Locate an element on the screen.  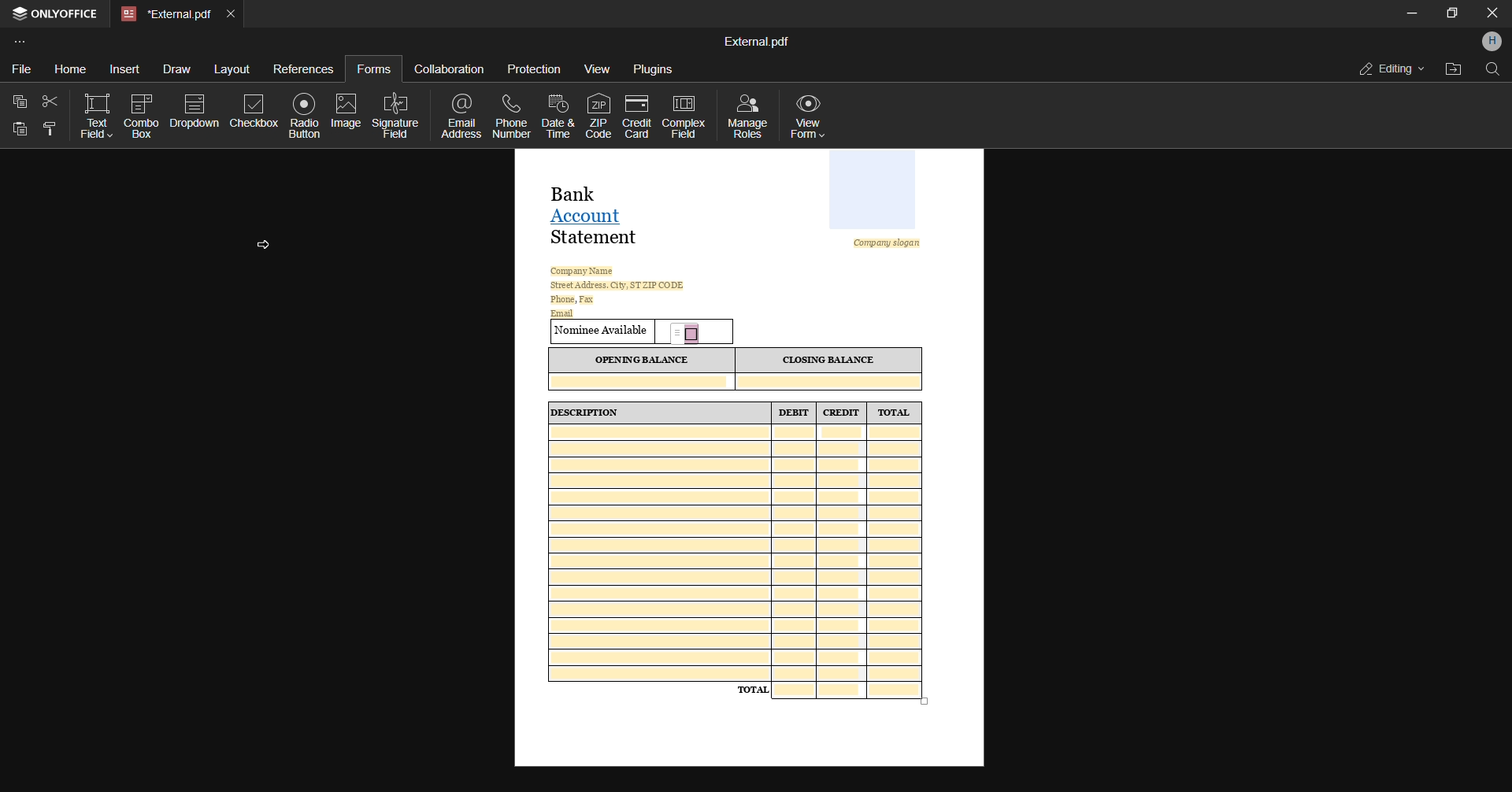
current open form is located at coordinates (749, 235).